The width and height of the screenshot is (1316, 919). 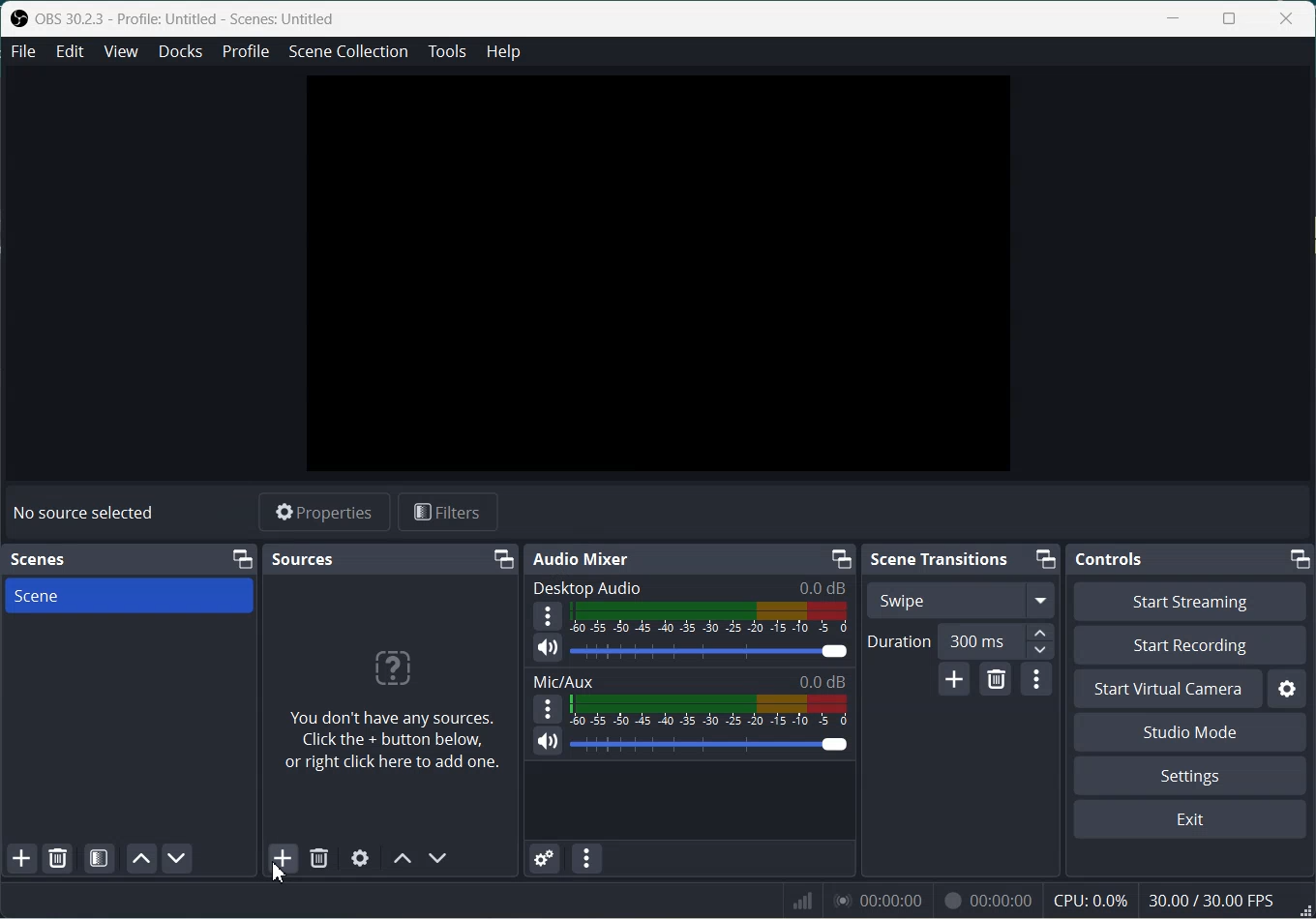 I want to click on View, so click(x=121, y=50).